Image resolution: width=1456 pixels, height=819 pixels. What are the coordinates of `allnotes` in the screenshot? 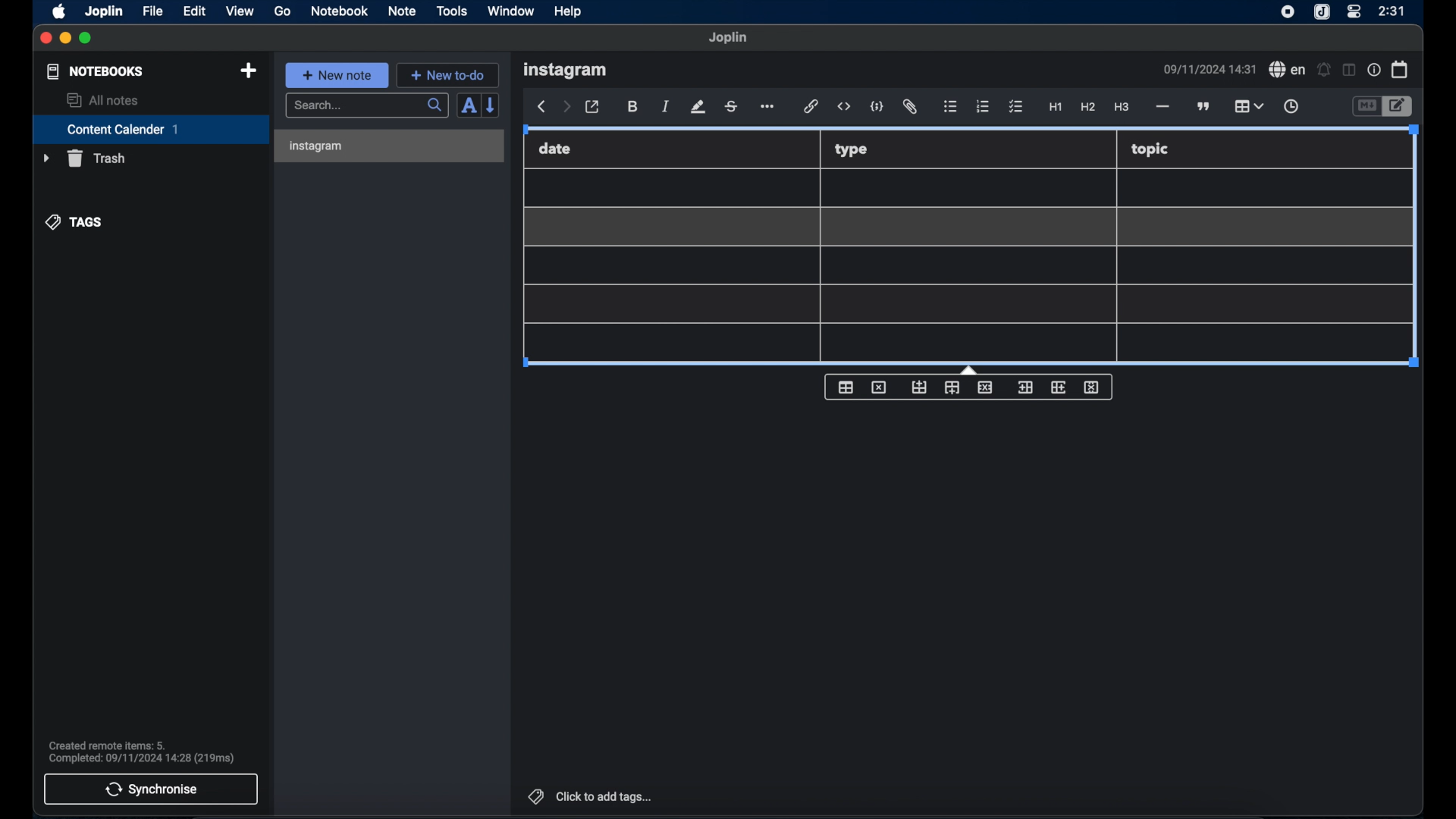 It's located at (104, 100).